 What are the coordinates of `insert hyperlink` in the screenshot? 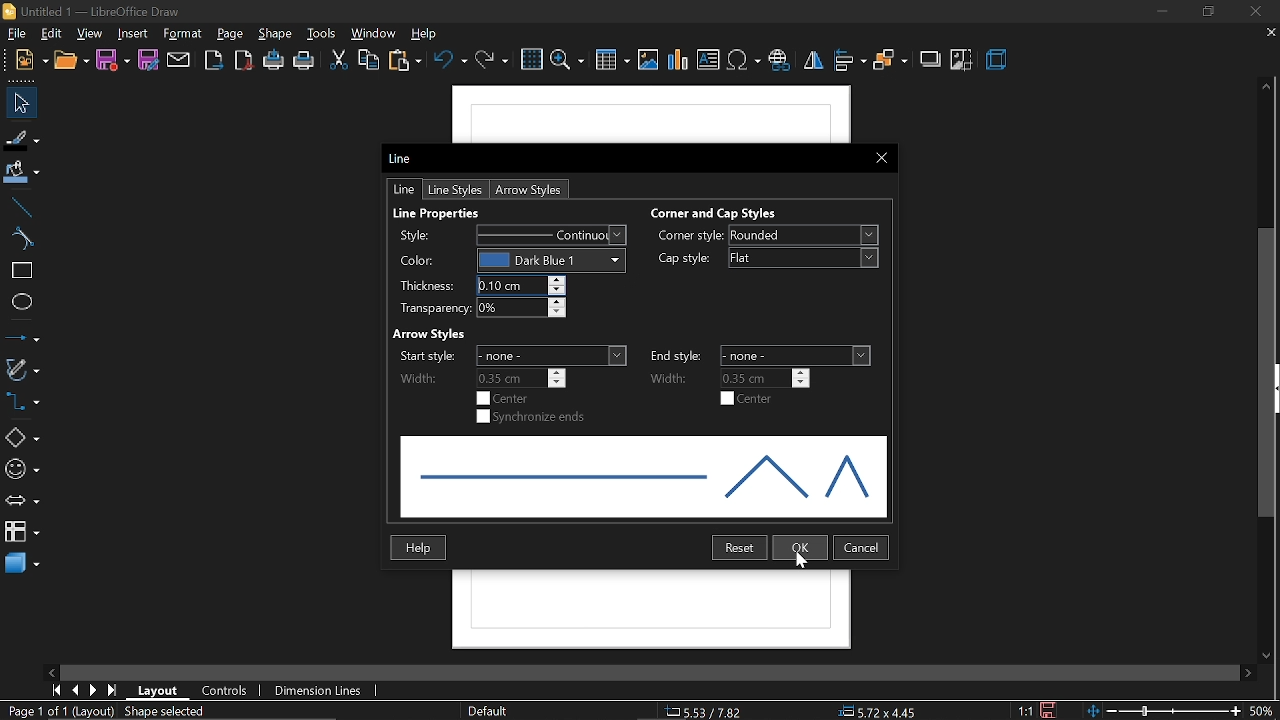 It's located at (779, 61).